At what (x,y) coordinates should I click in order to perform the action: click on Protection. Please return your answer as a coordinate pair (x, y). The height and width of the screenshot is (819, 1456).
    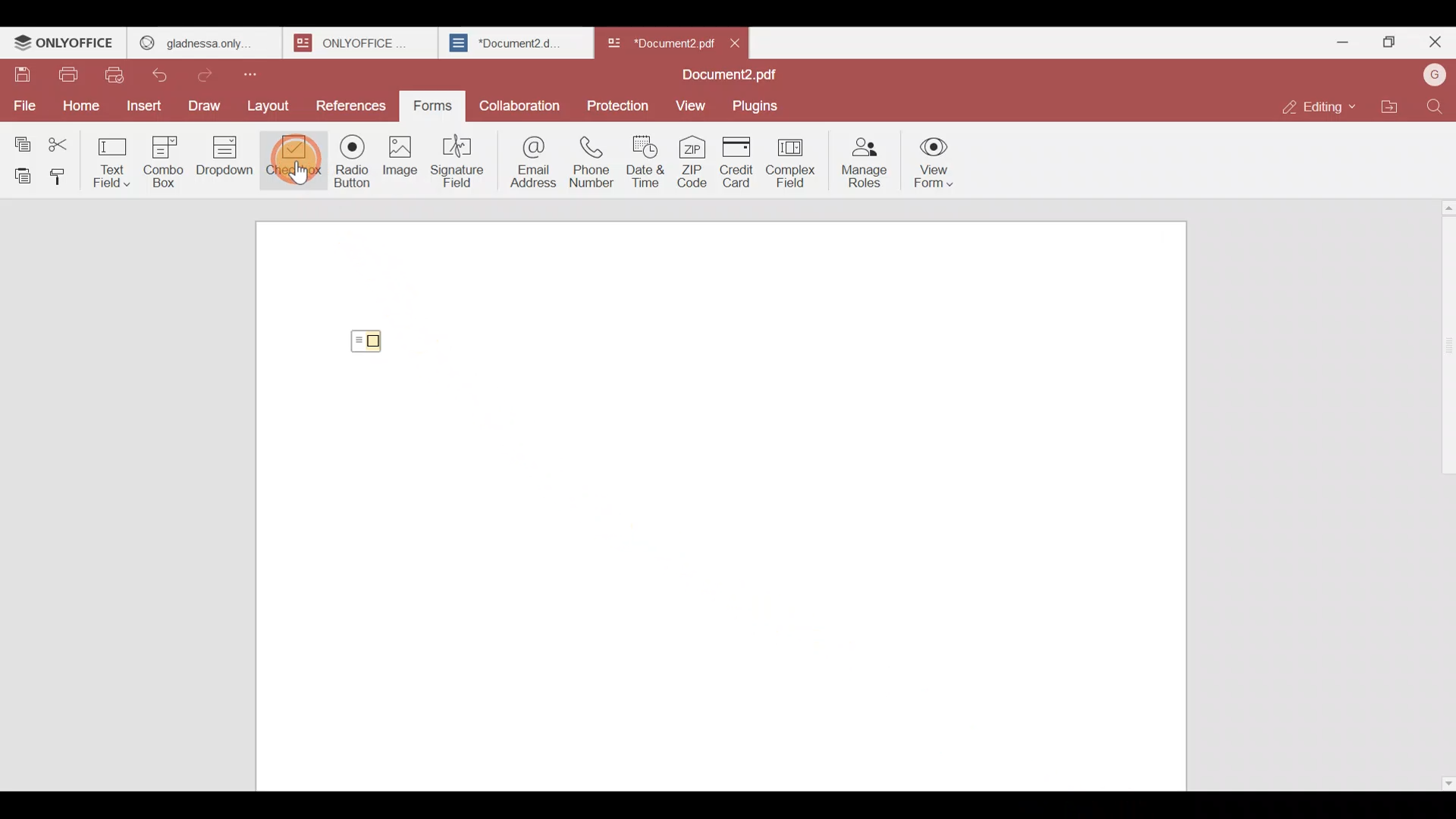
    Looking at the image, I should click on (619, 105).